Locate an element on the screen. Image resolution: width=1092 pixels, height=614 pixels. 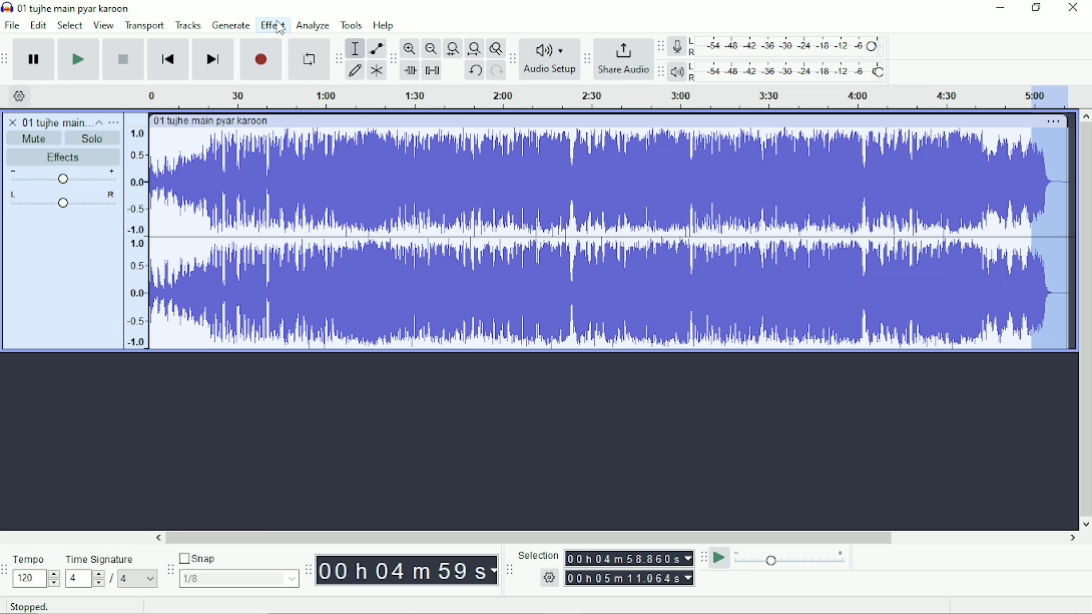
Volume is located at coordinates (63, 177).